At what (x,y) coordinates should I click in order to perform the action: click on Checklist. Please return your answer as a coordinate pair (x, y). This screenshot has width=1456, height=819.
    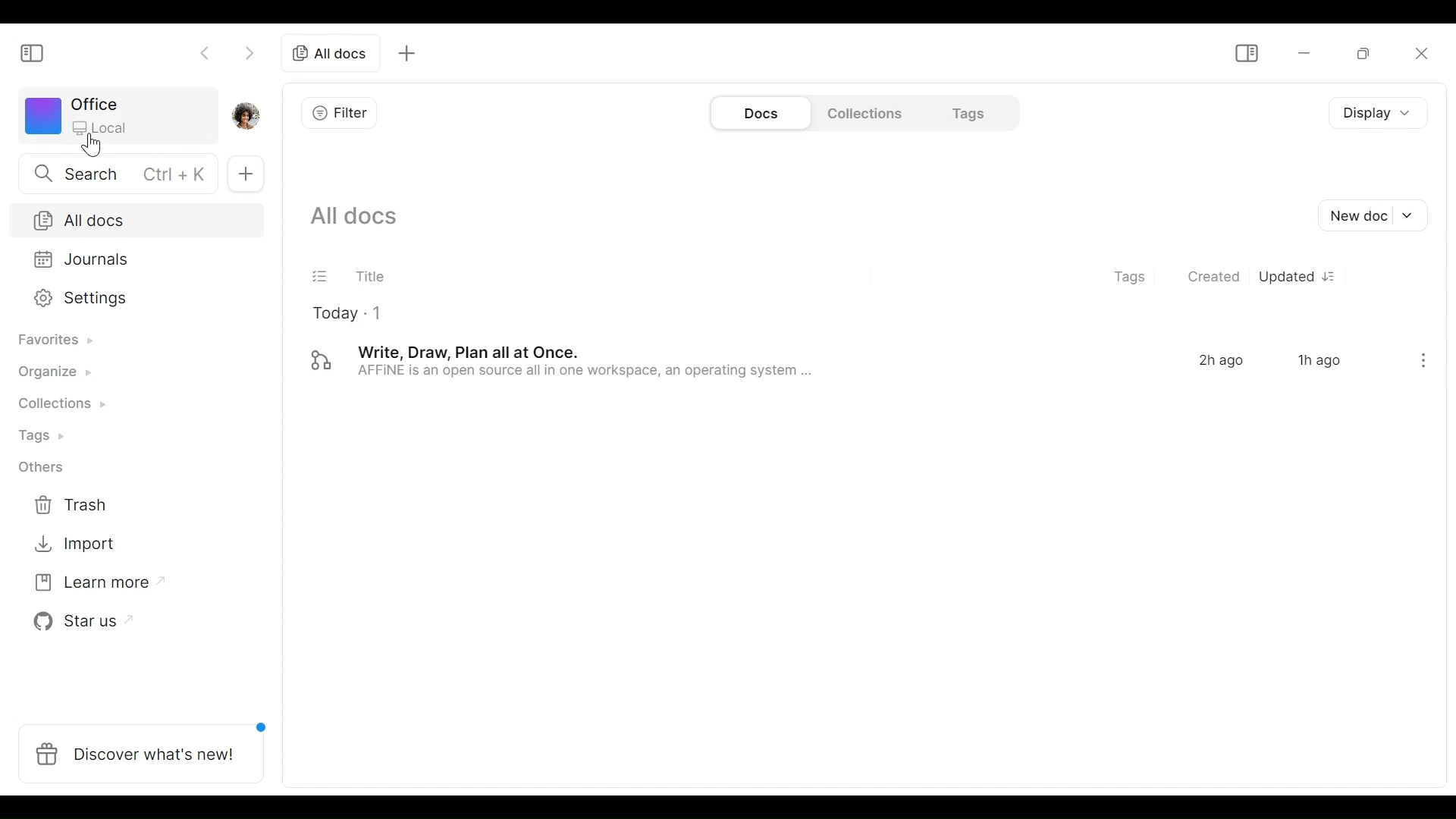
    Looking at the image, I should click on (321, 276).